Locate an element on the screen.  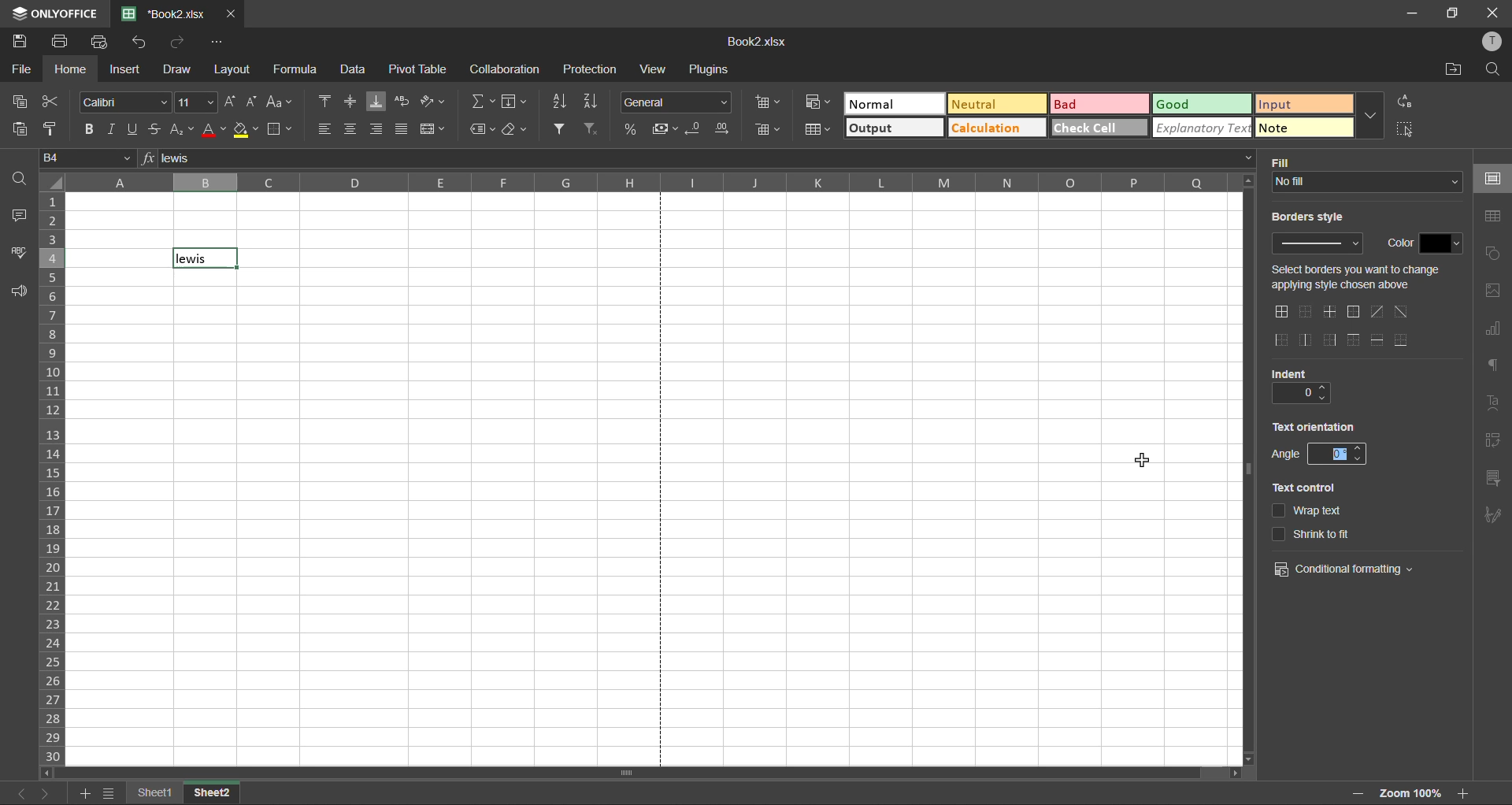
sheet 2 is located at coordinates (211, 792).